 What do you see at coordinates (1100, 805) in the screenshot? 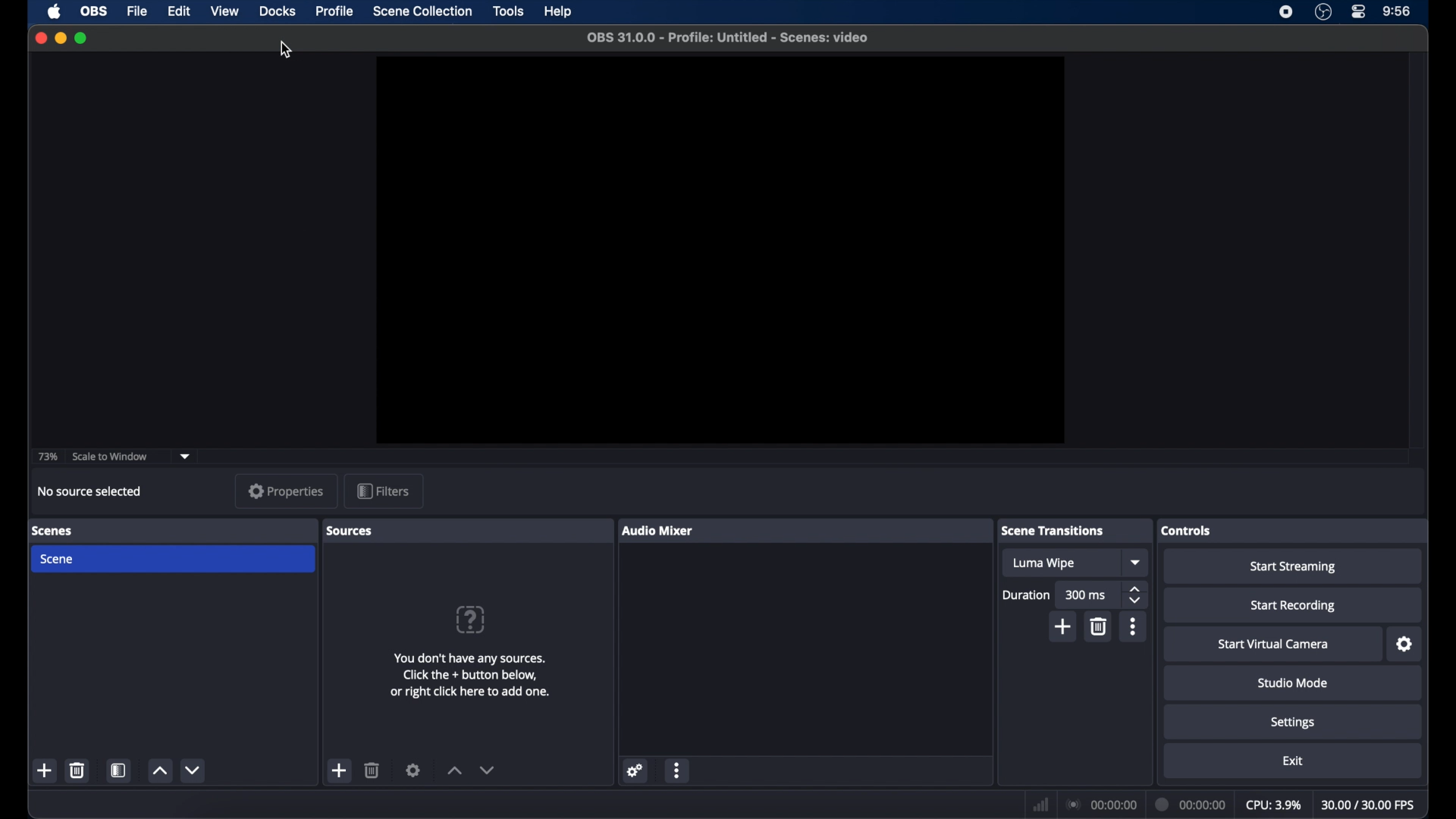
I see `connections` at bounding box center [1100, 805].